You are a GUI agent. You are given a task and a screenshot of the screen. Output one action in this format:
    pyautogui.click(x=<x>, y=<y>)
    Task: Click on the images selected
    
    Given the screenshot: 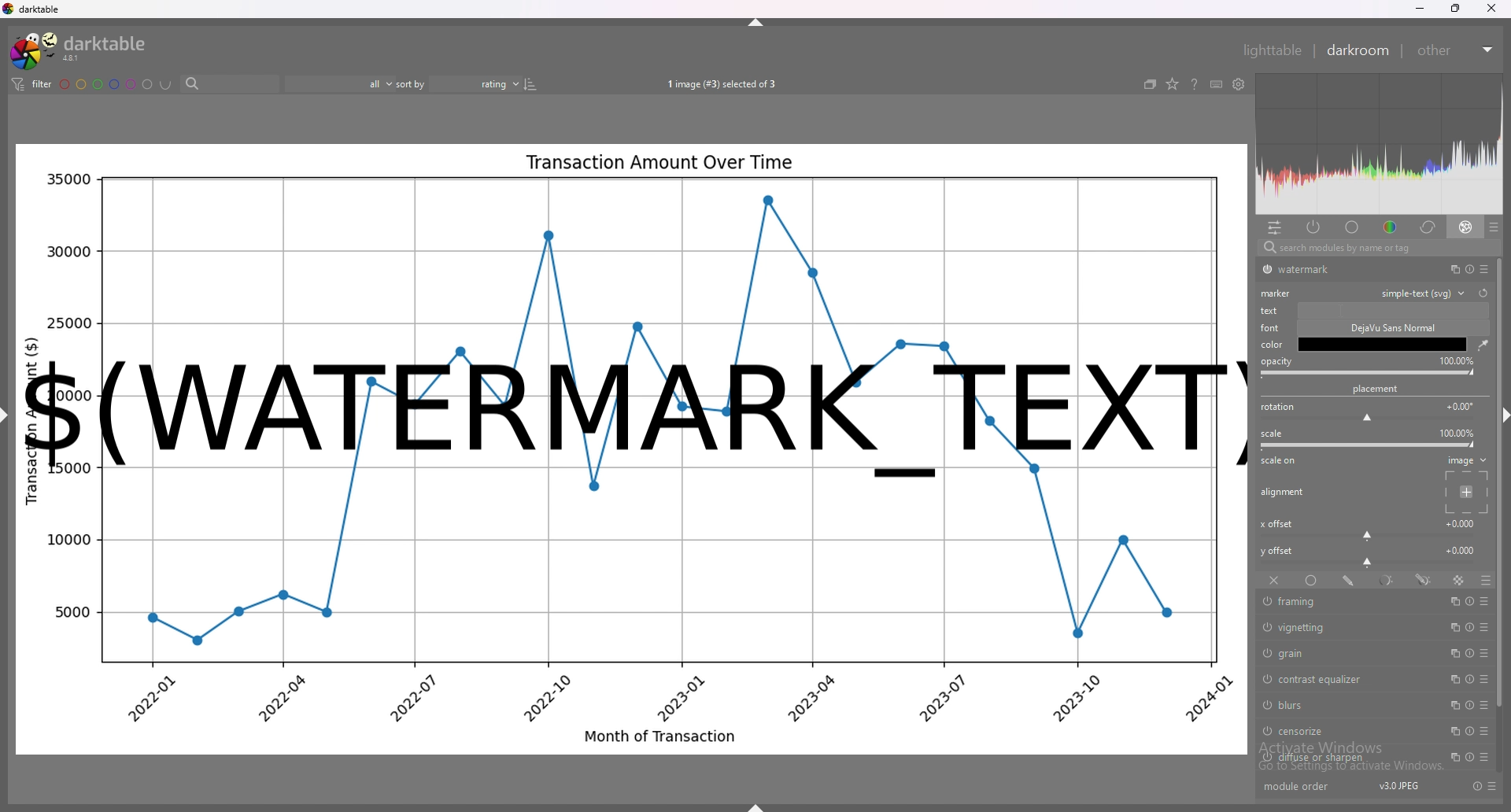 What is the action you would take?
    pyautogui.click(x=719, y=84)
    